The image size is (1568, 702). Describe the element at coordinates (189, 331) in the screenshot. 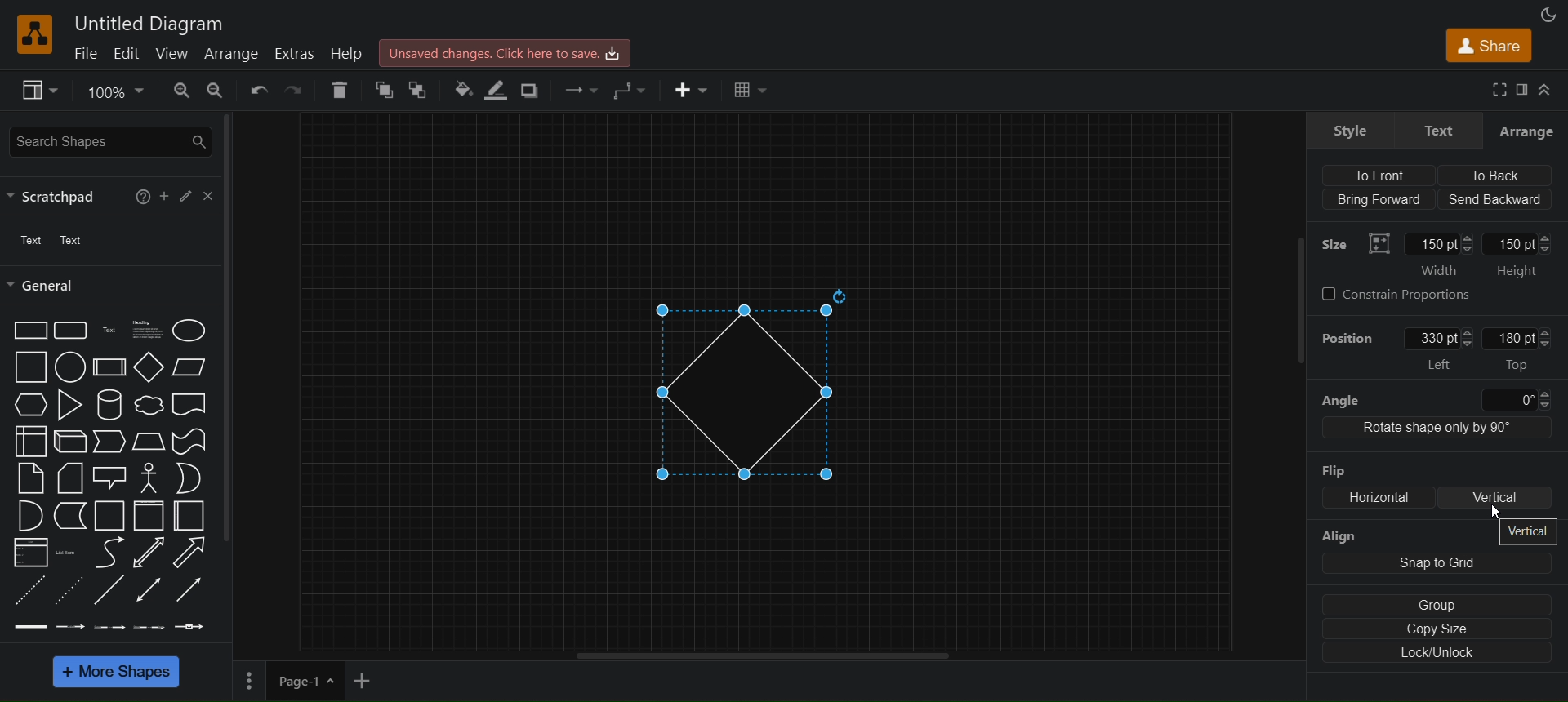

I see `ellipse` at that location.